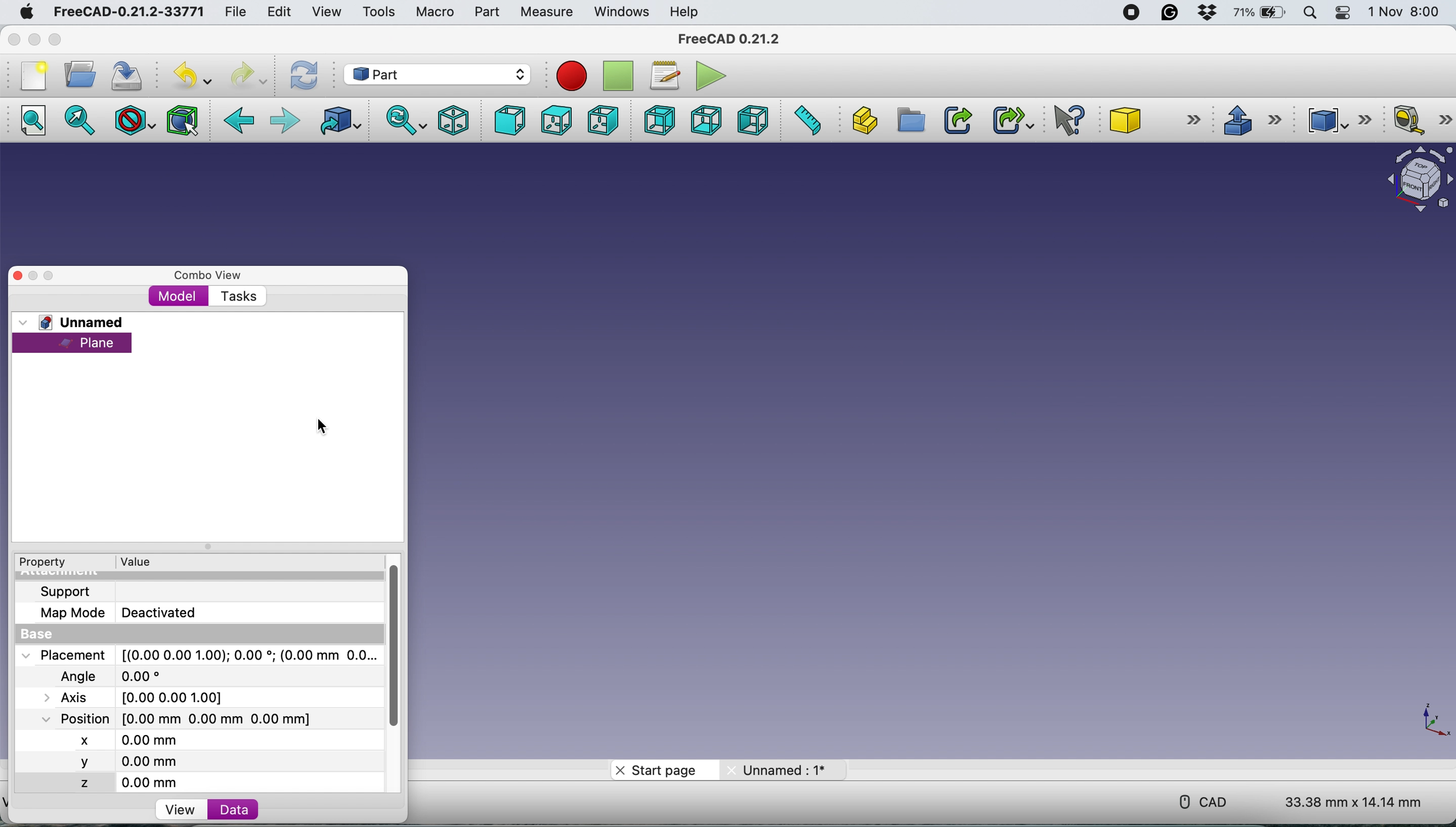 The height and width of the screenshot is (827, 1456). I want to click on extrude, so click(1255, 120).